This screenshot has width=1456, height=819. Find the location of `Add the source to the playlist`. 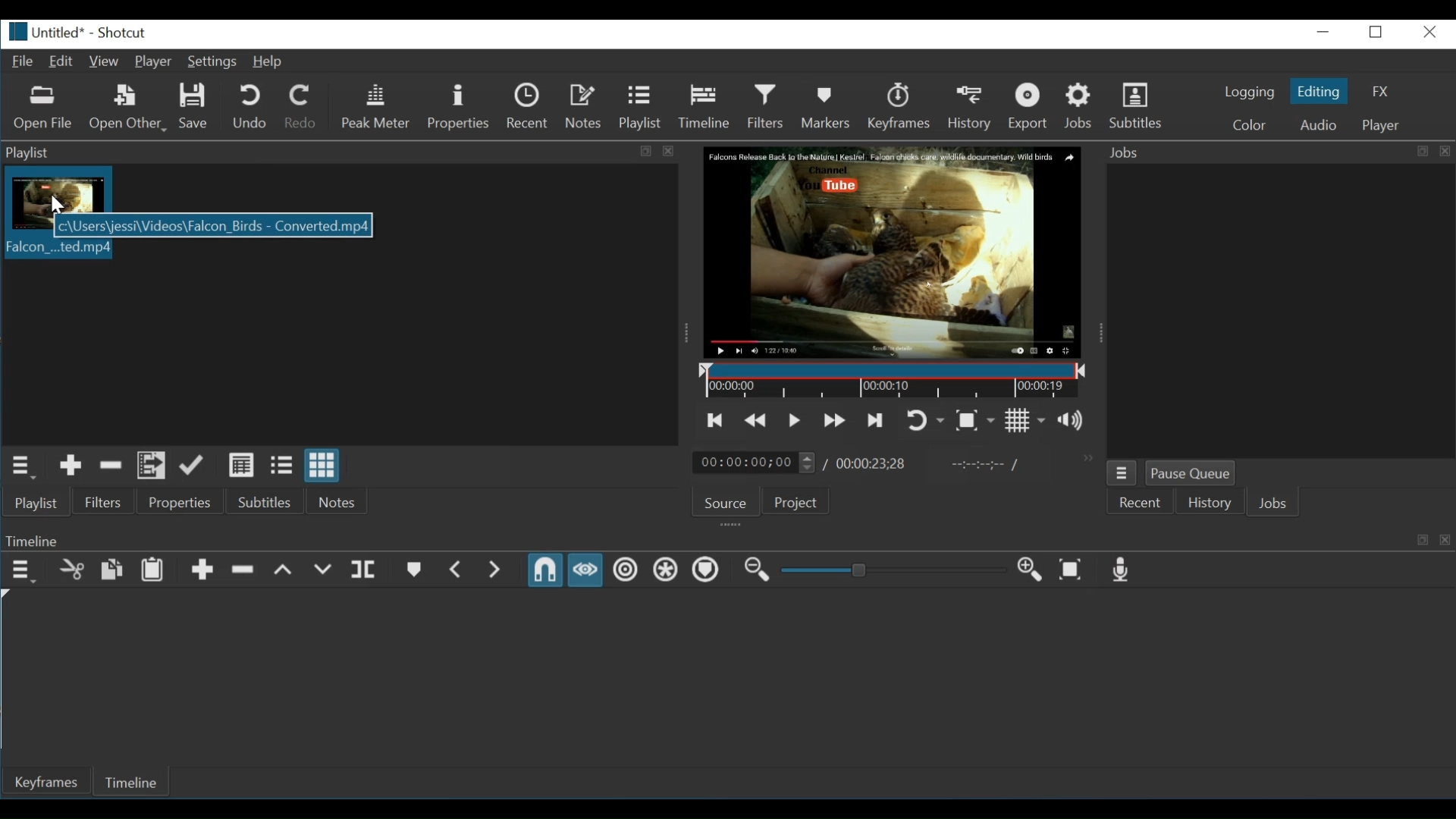

Add the source to the playlist is located at coordinates (72, 466).